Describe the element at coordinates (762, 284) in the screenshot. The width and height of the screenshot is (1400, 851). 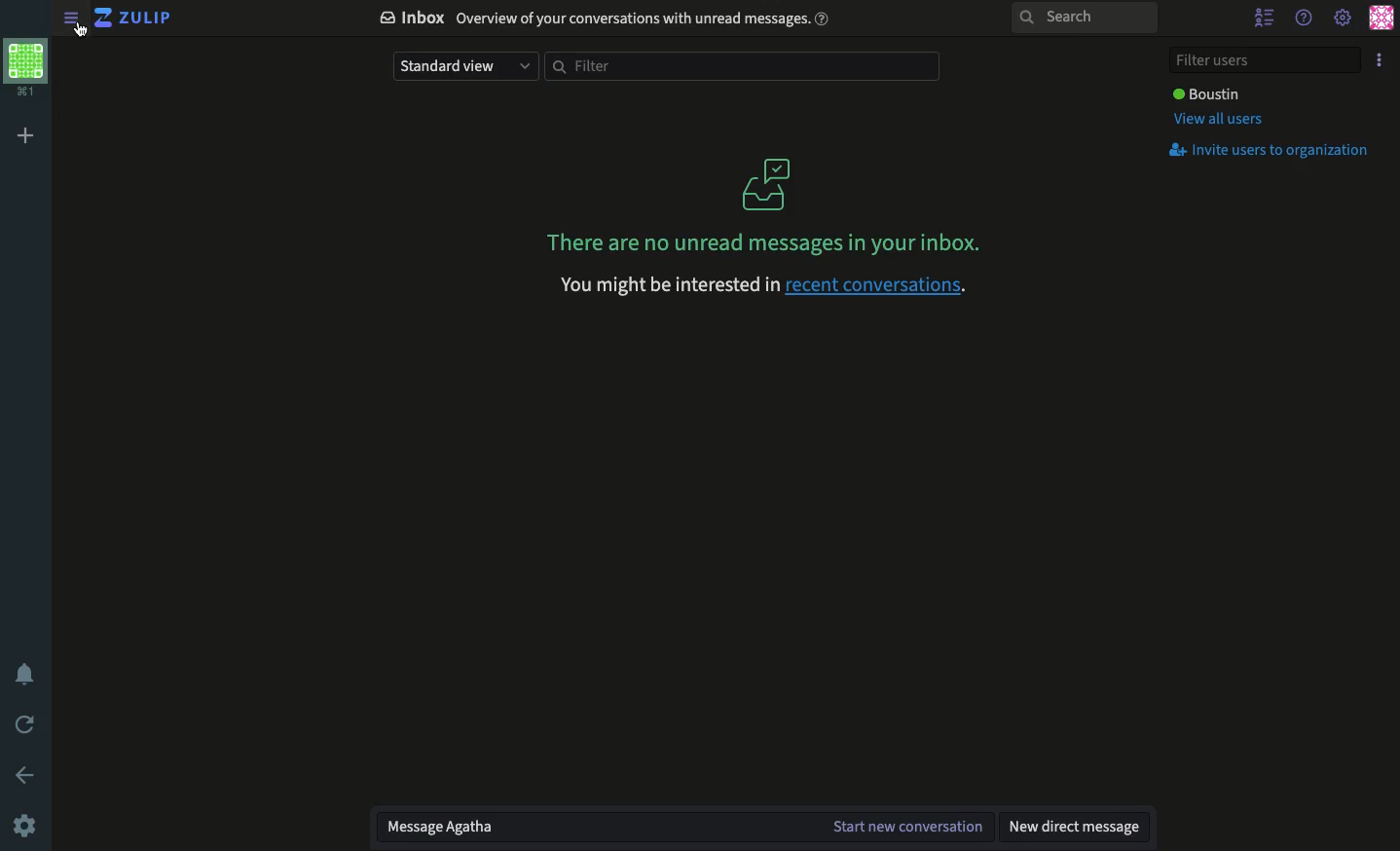
I see `recent conversations` at that location.